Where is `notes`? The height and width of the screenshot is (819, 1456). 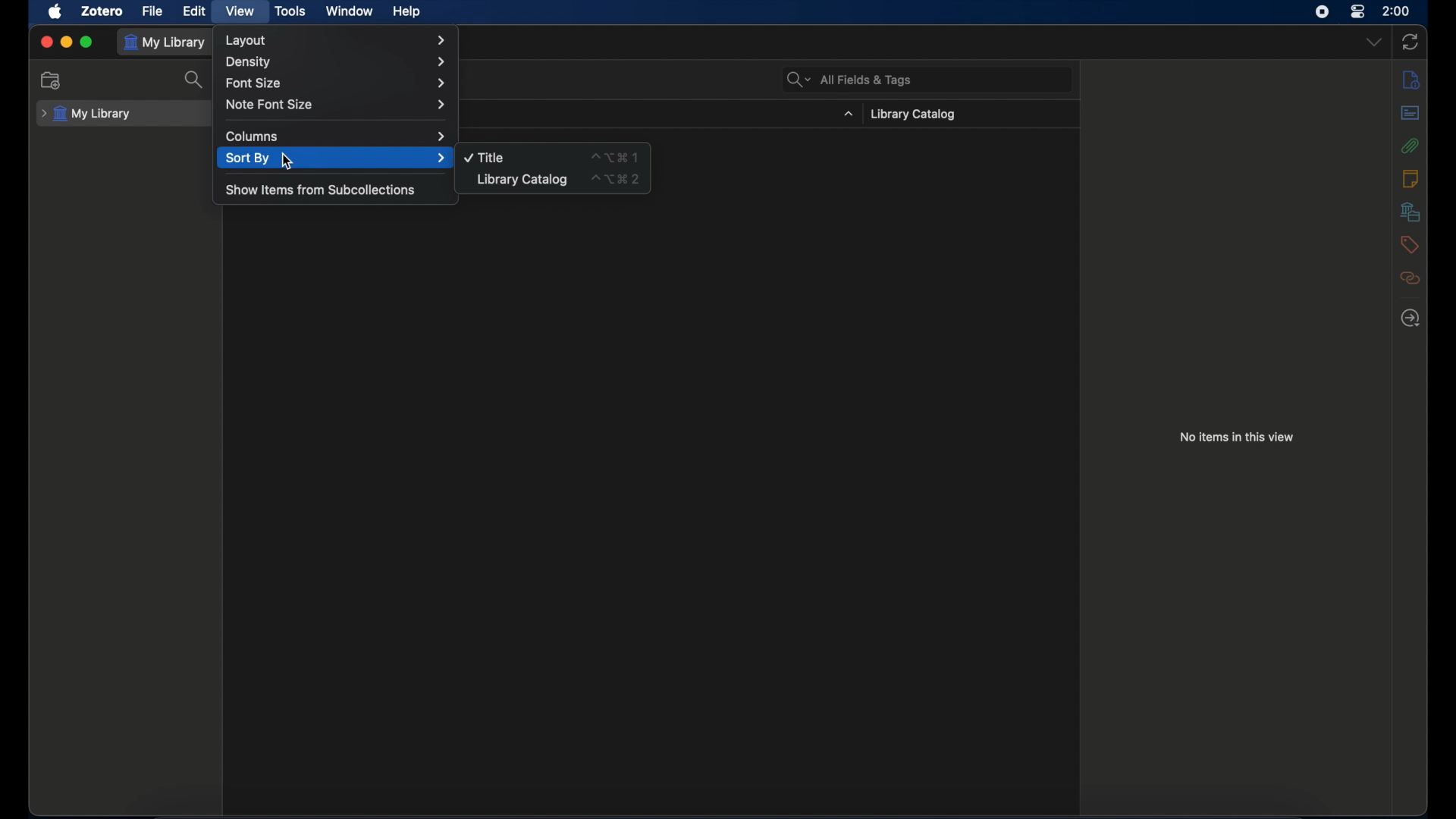
notes is located at coordinates (1411, 179).